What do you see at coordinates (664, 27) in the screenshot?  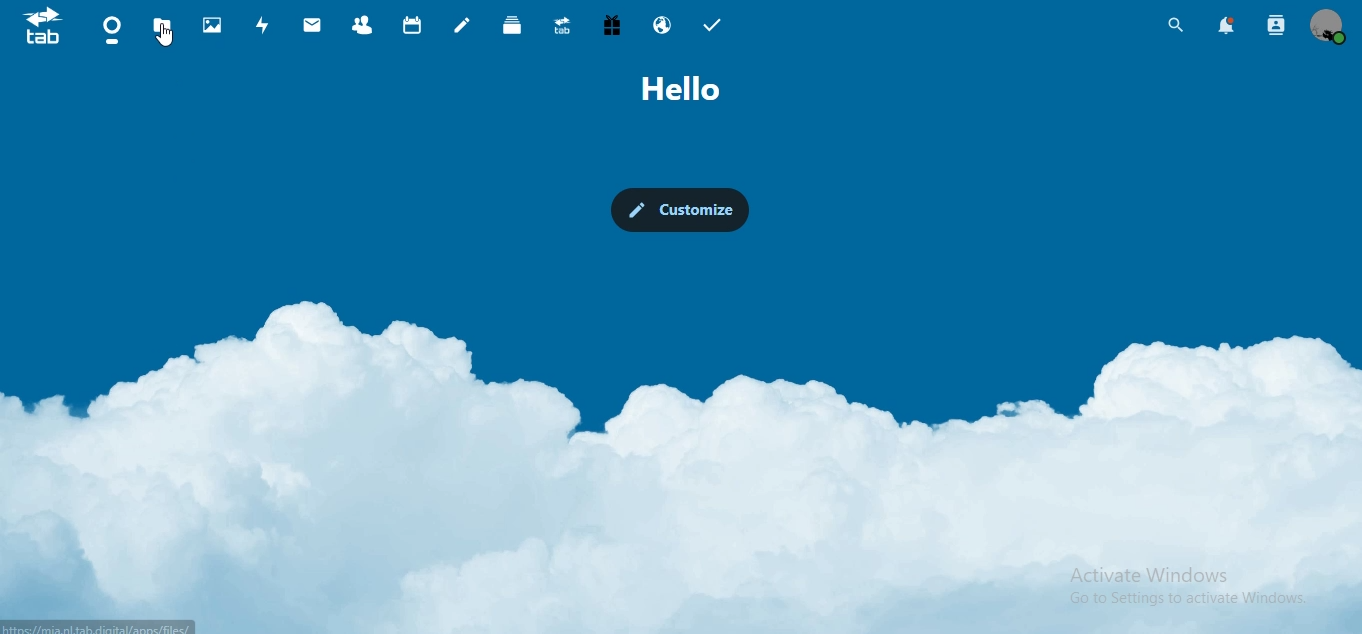 I see `email hosting` at bounding box center [664, 27].